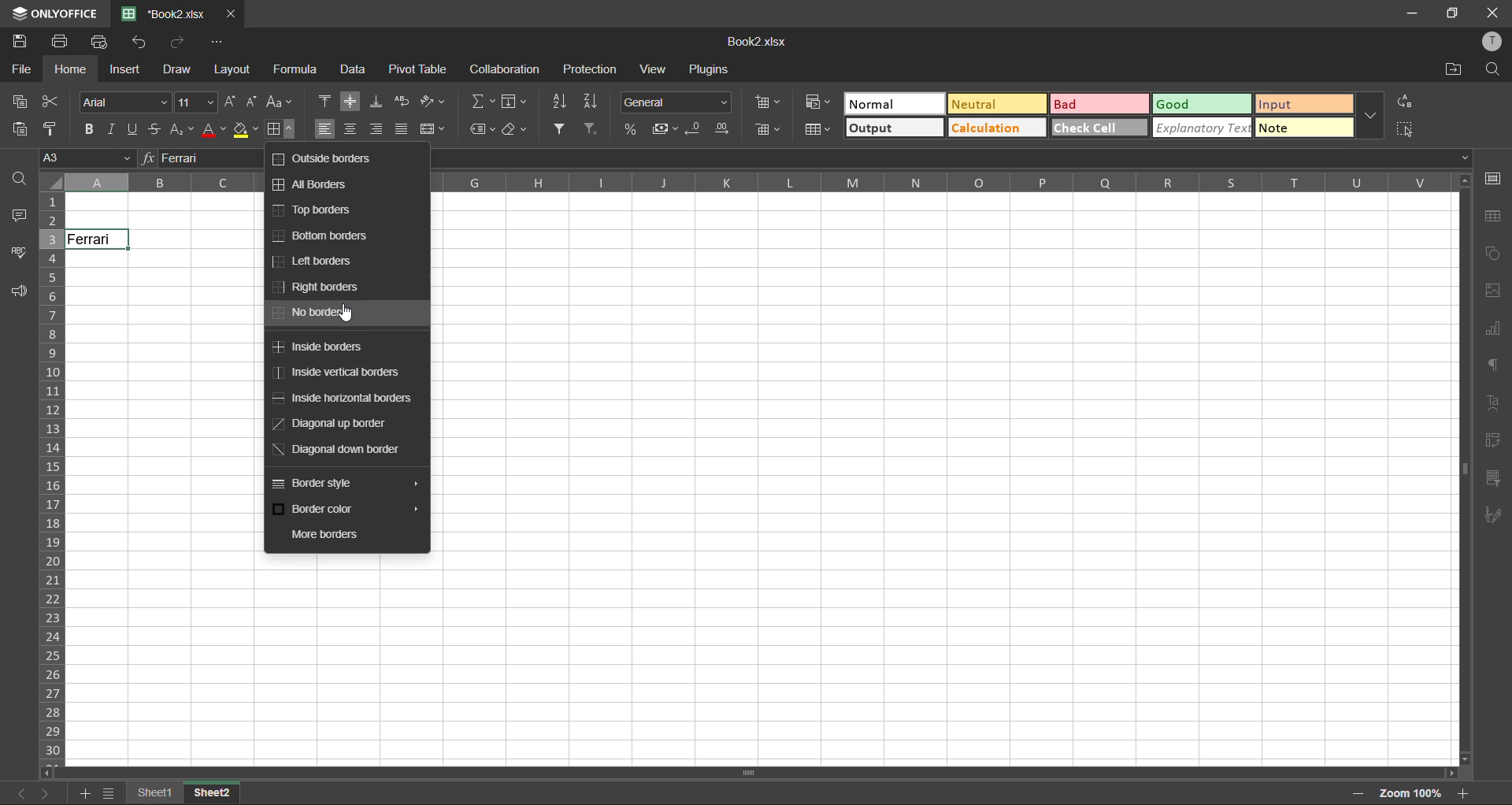 The width and height of the screenshot is (1512, 805). Describe the element at coordinates (338, 373) in the screenshot. I see `inside vertical borders` at that location.